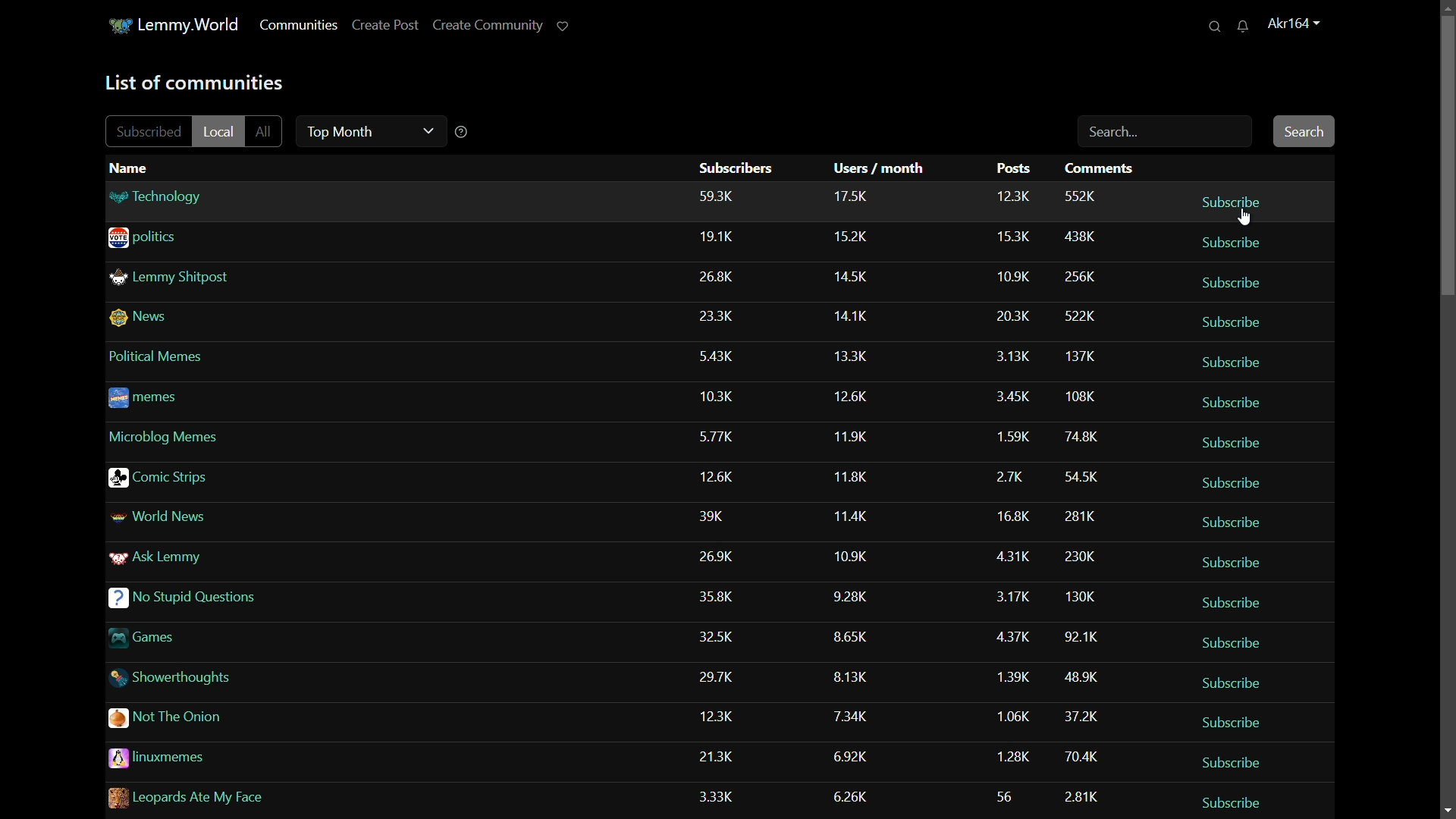 This screenshot has width=1456, height=819. I want to click on user per month, so click(853, 641).